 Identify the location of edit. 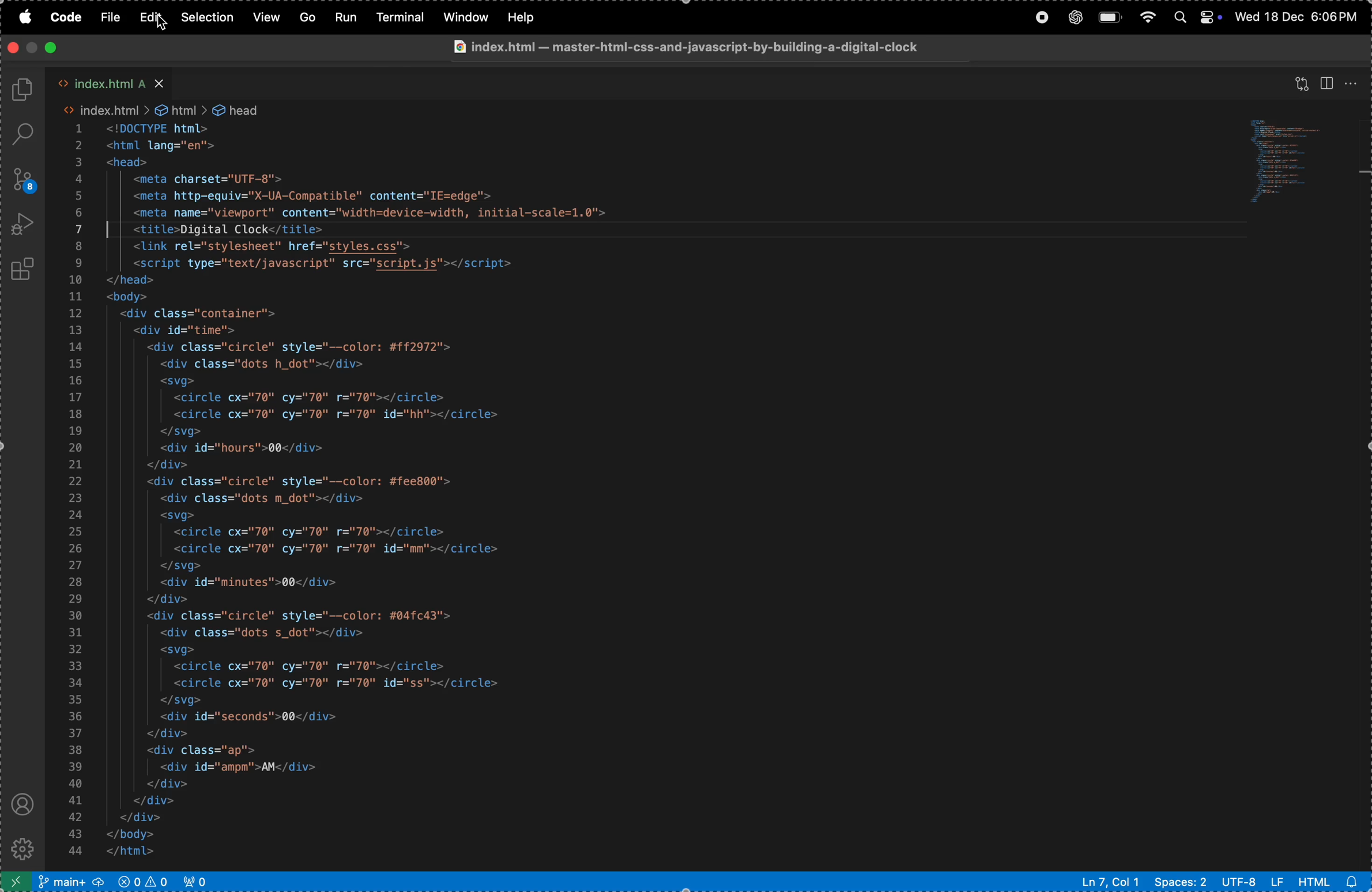
(152, 17).